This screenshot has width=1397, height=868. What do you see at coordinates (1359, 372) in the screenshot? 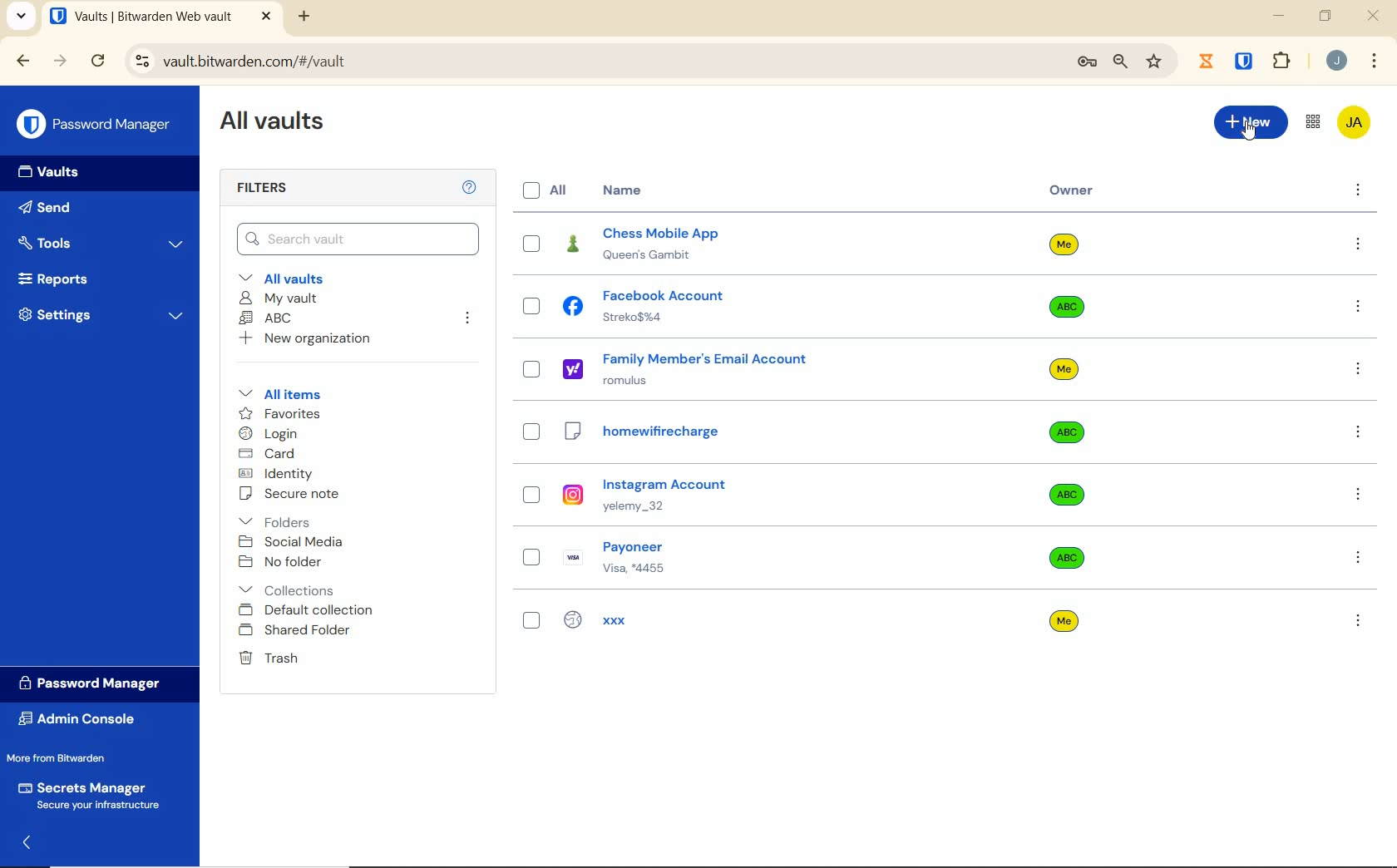
I see `more options` at bounding box center [1359, 372].